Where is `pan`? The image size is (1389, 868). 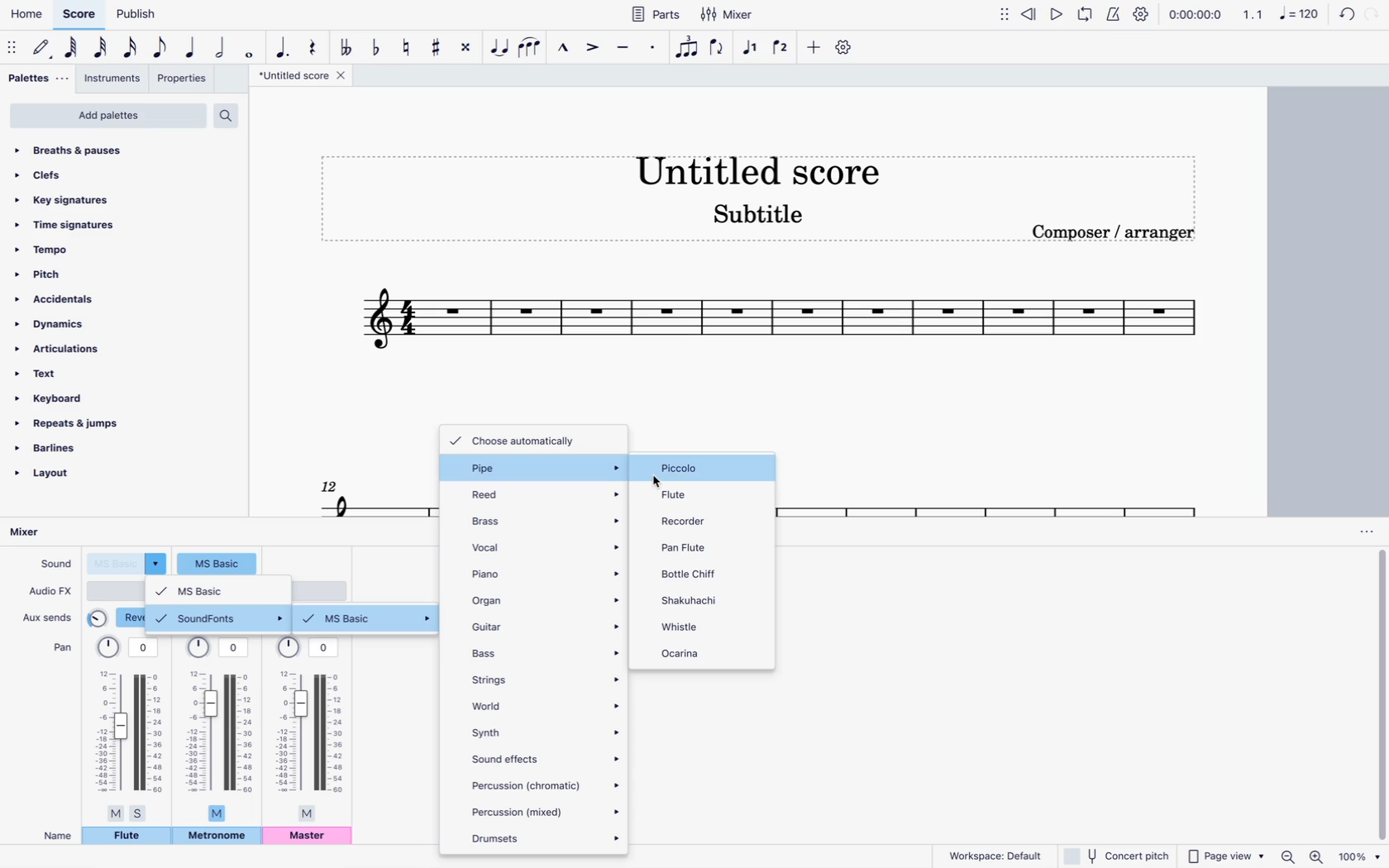 pan is located at coordinates (129, 728).